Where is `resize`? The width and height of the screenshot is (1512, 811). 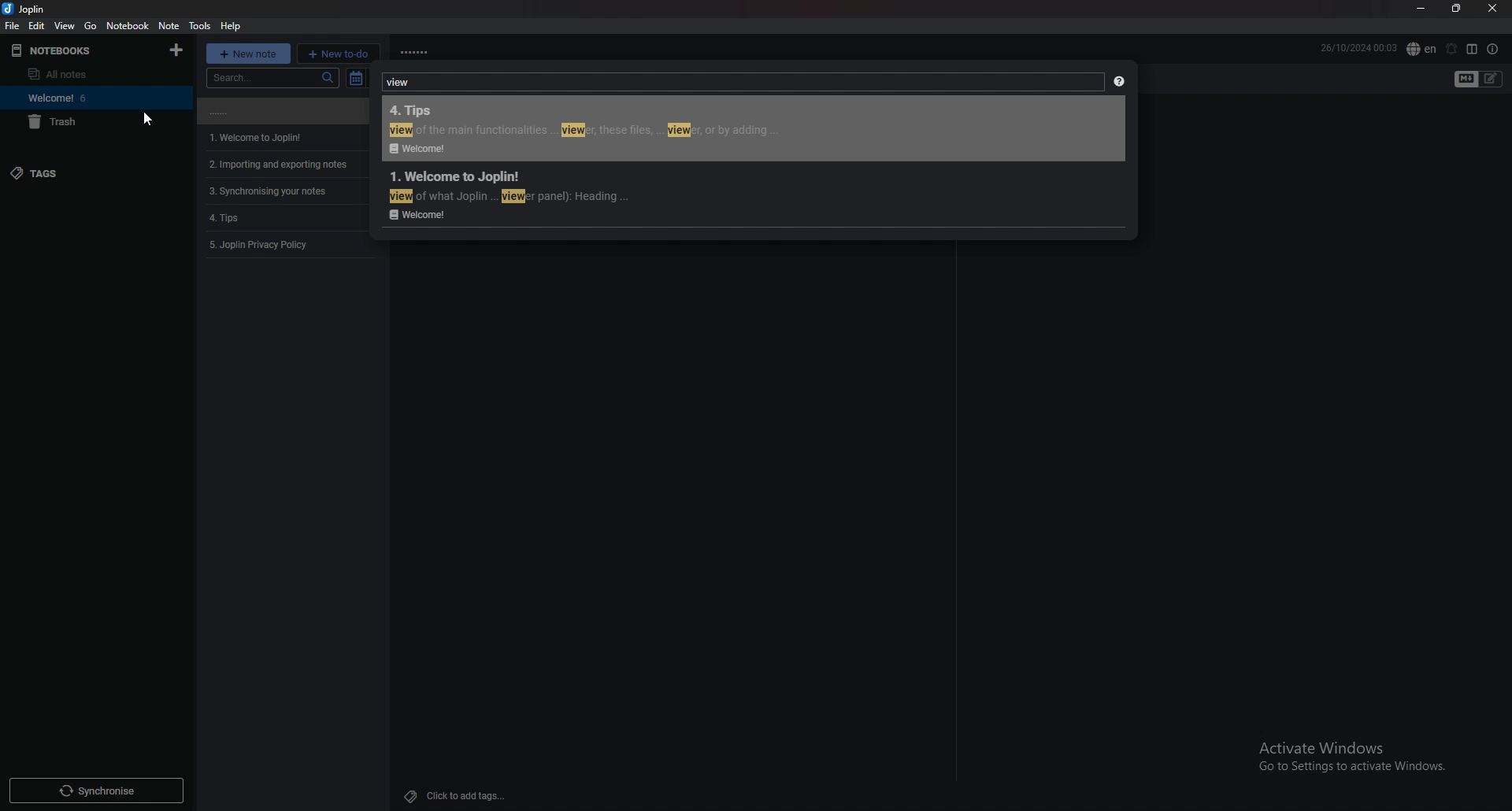
resize is located at coordinates (1460, 9).